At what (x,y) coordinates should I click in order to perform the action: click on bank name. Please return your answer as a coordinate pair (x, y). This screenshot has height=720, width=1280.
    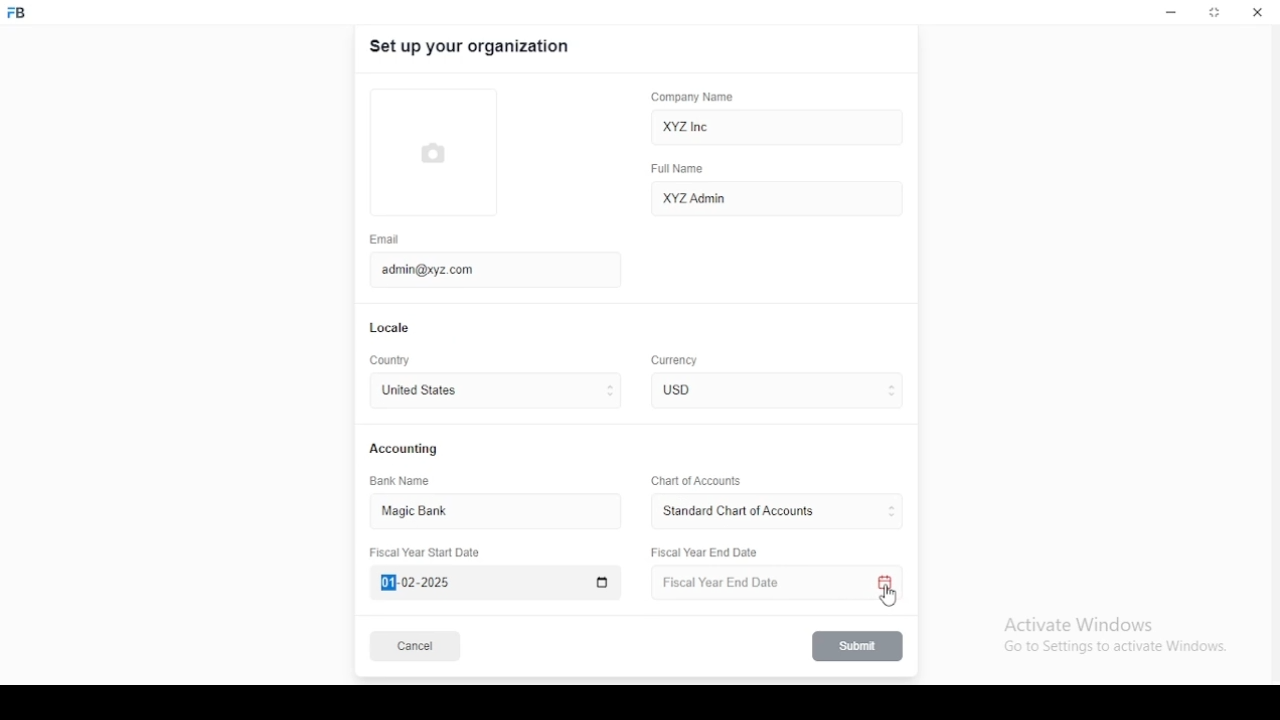
    Looking at the image, I should click on (401, 481).